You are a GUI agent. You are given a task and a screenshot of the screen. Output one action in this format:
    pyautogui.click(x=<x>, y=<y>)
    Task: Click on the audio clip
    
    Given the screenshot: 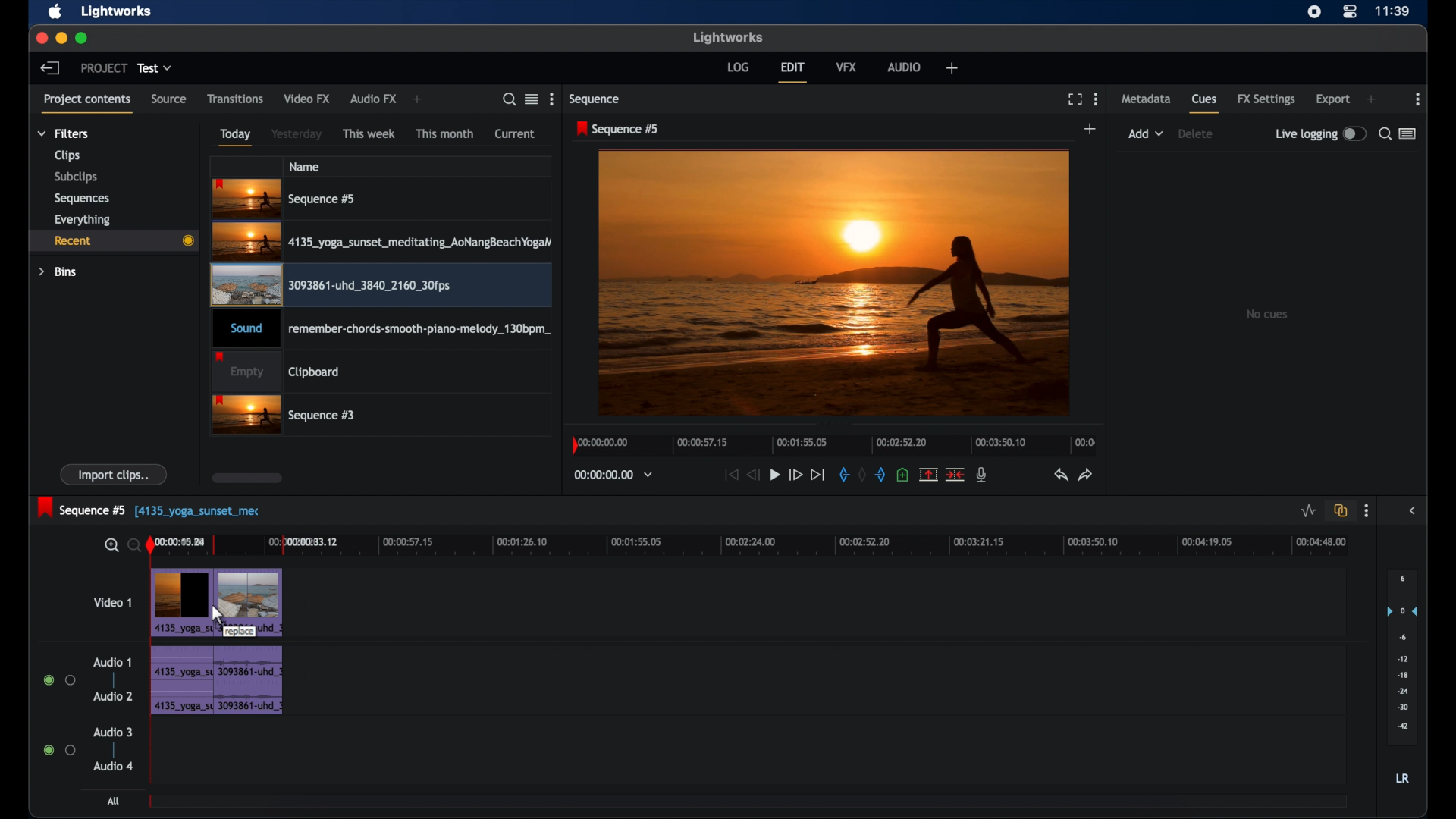 What is the action you would take?
    pyautogui.click(x=379, y=329)
    